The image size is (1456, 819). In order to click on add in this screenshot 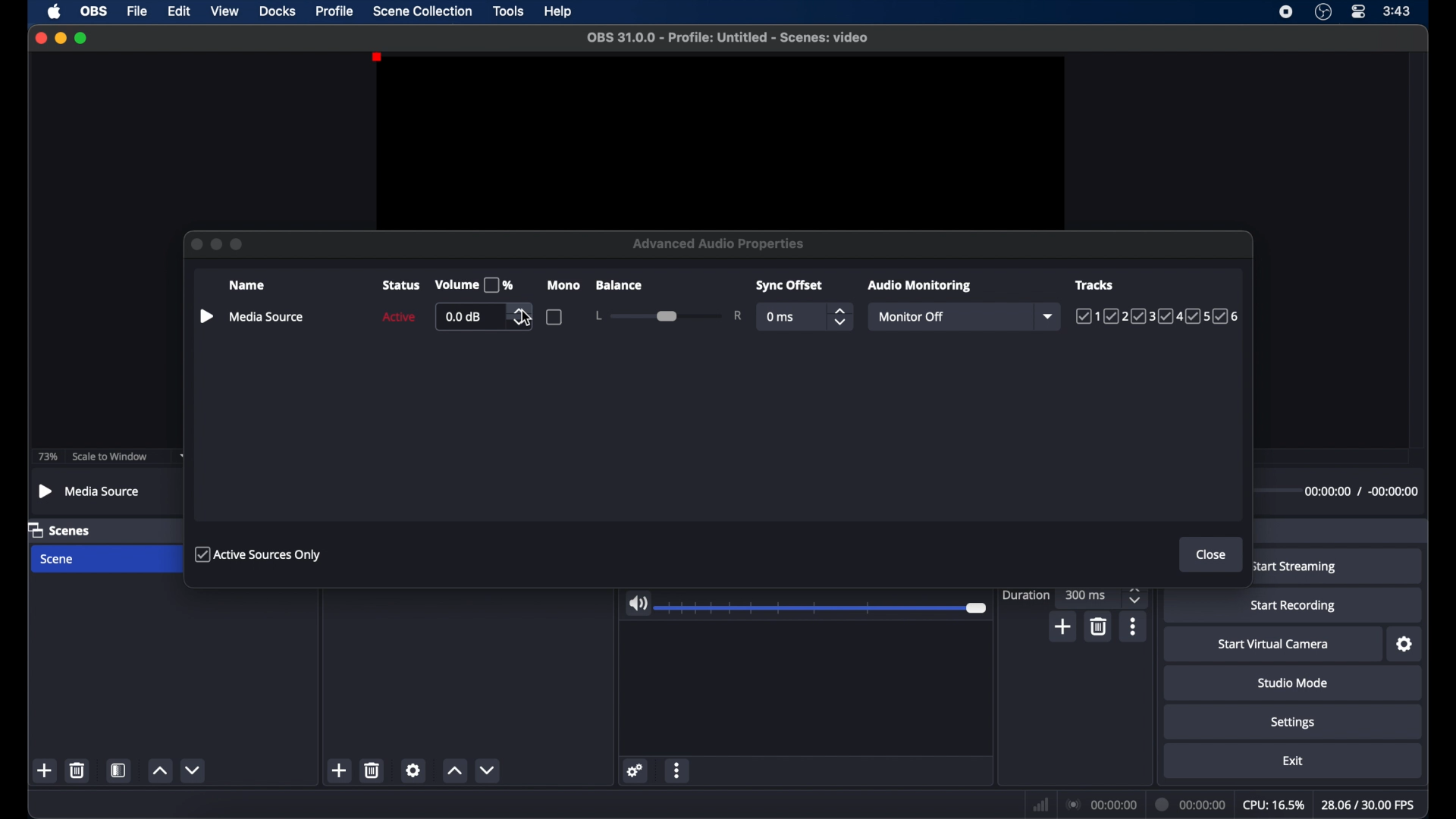, I will do `click(338, 770)`.